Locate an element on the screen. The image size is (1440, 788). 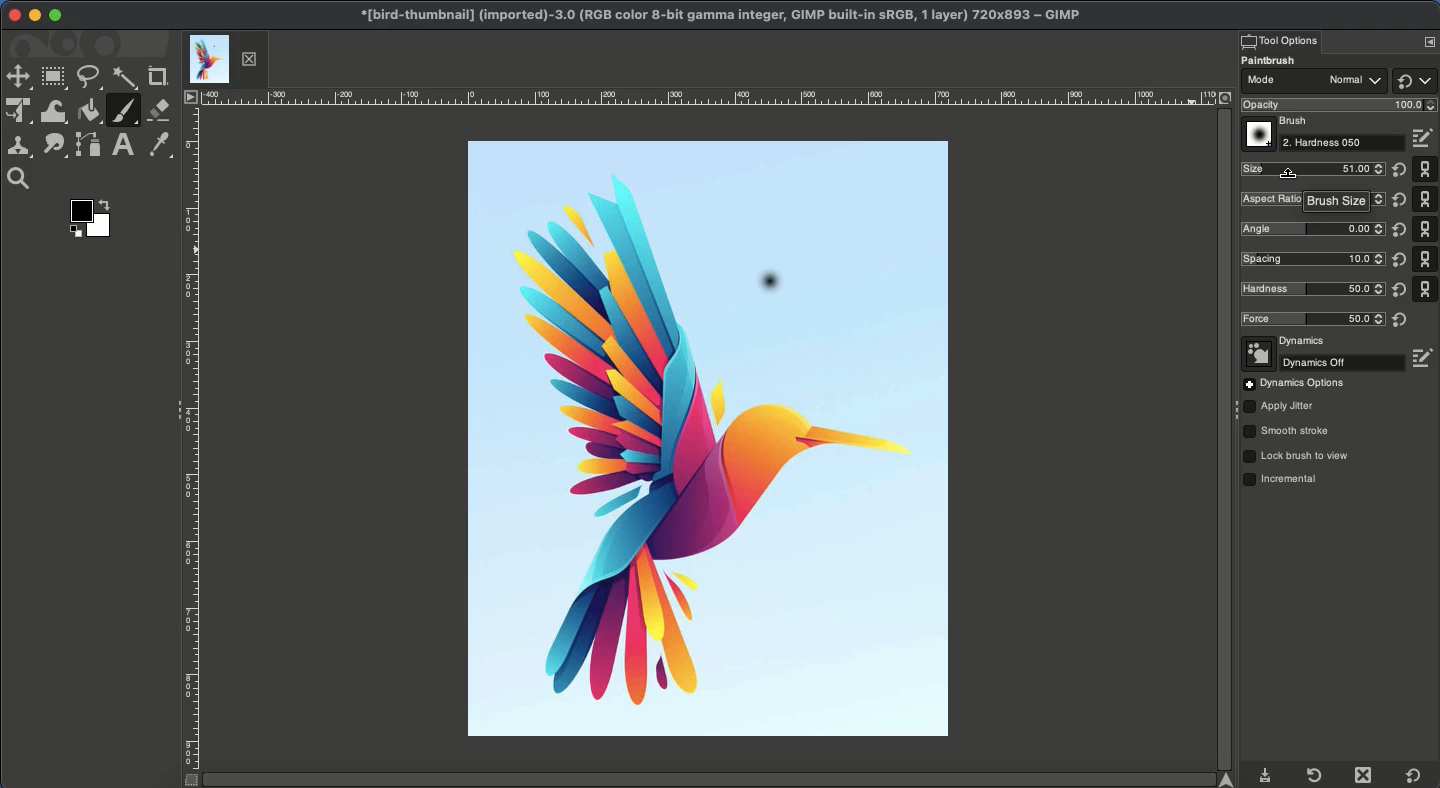
Text is located at coordinates (122, 145).